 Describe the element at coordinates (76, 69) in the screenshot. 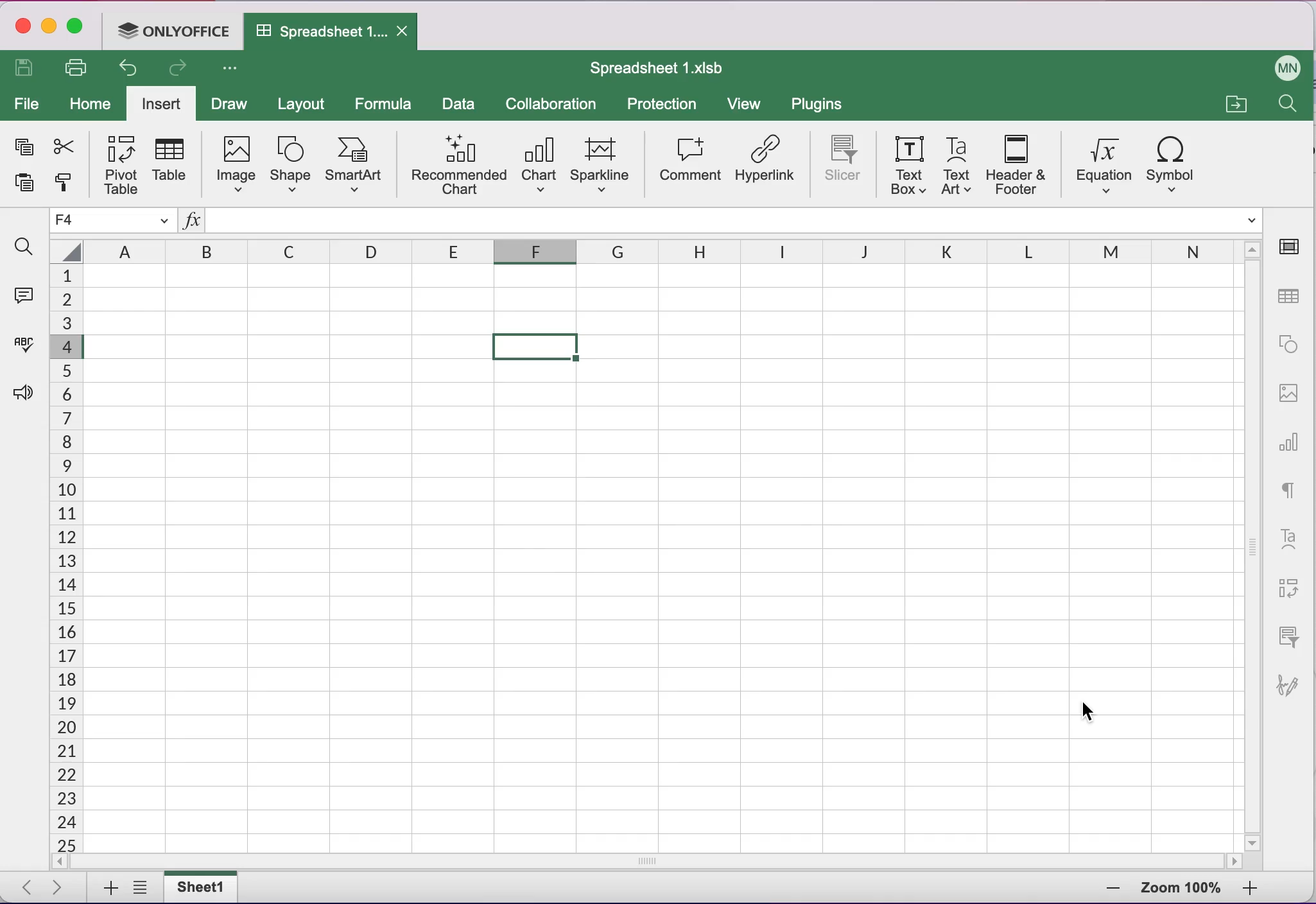

I see `print` at that location.